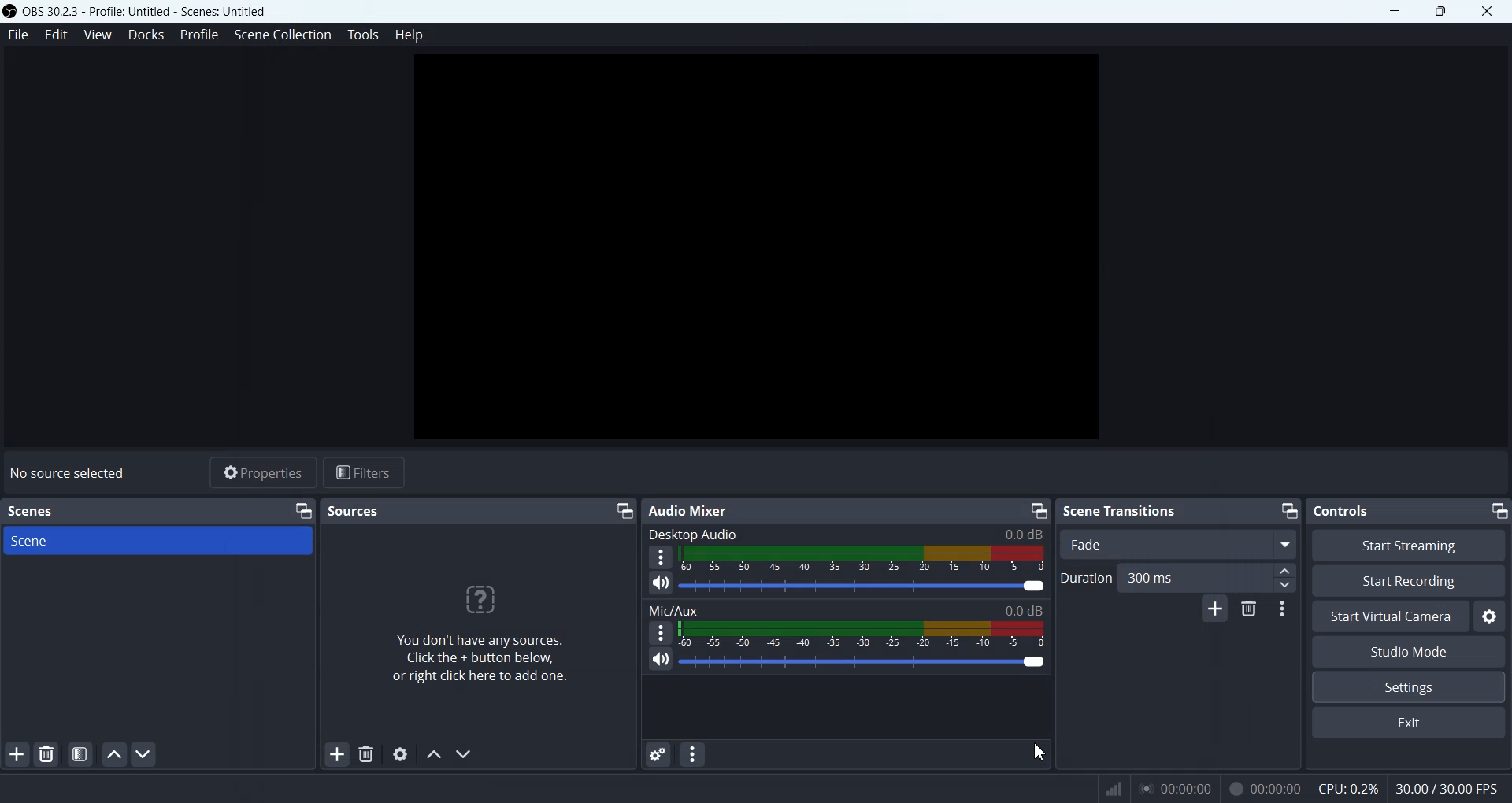 This screenshot has height=803, width=1512. I want to click on No source selected, so click(72, 475).